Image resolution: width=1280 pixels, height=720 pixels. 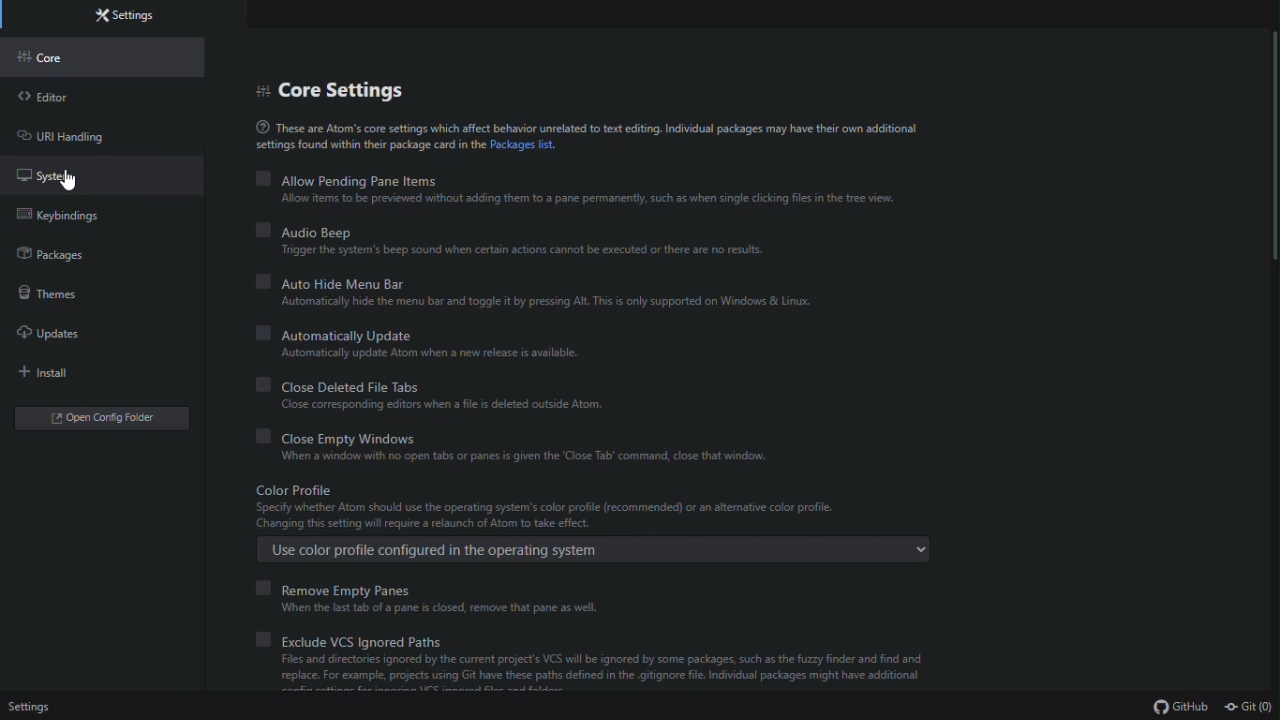 What do you see at coordinates (63, 58) in the screenshot?
I see `Core` at bounding box center [63, 58].